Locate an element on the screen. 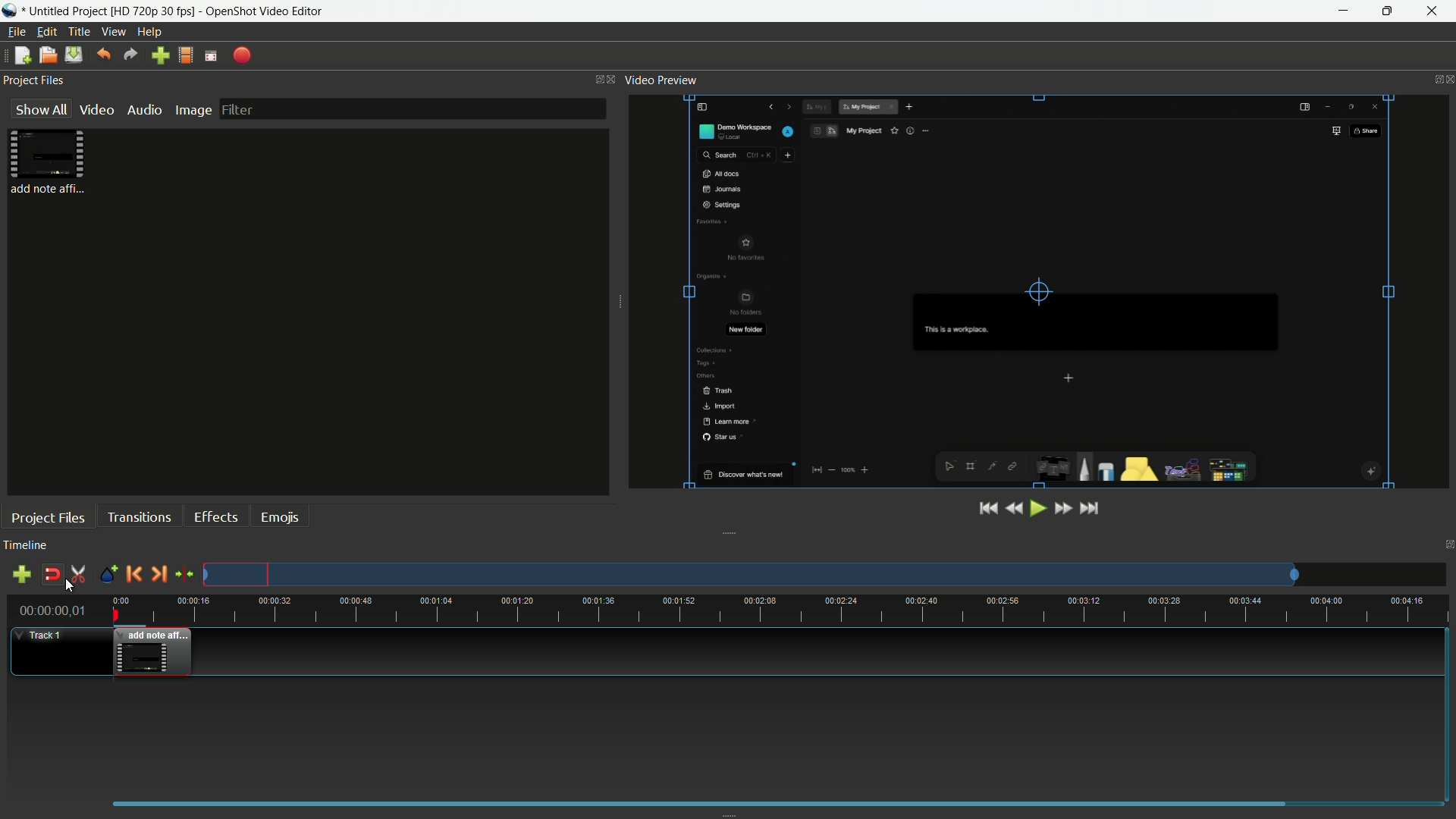  maximize is located at coordinates (1391, 11).